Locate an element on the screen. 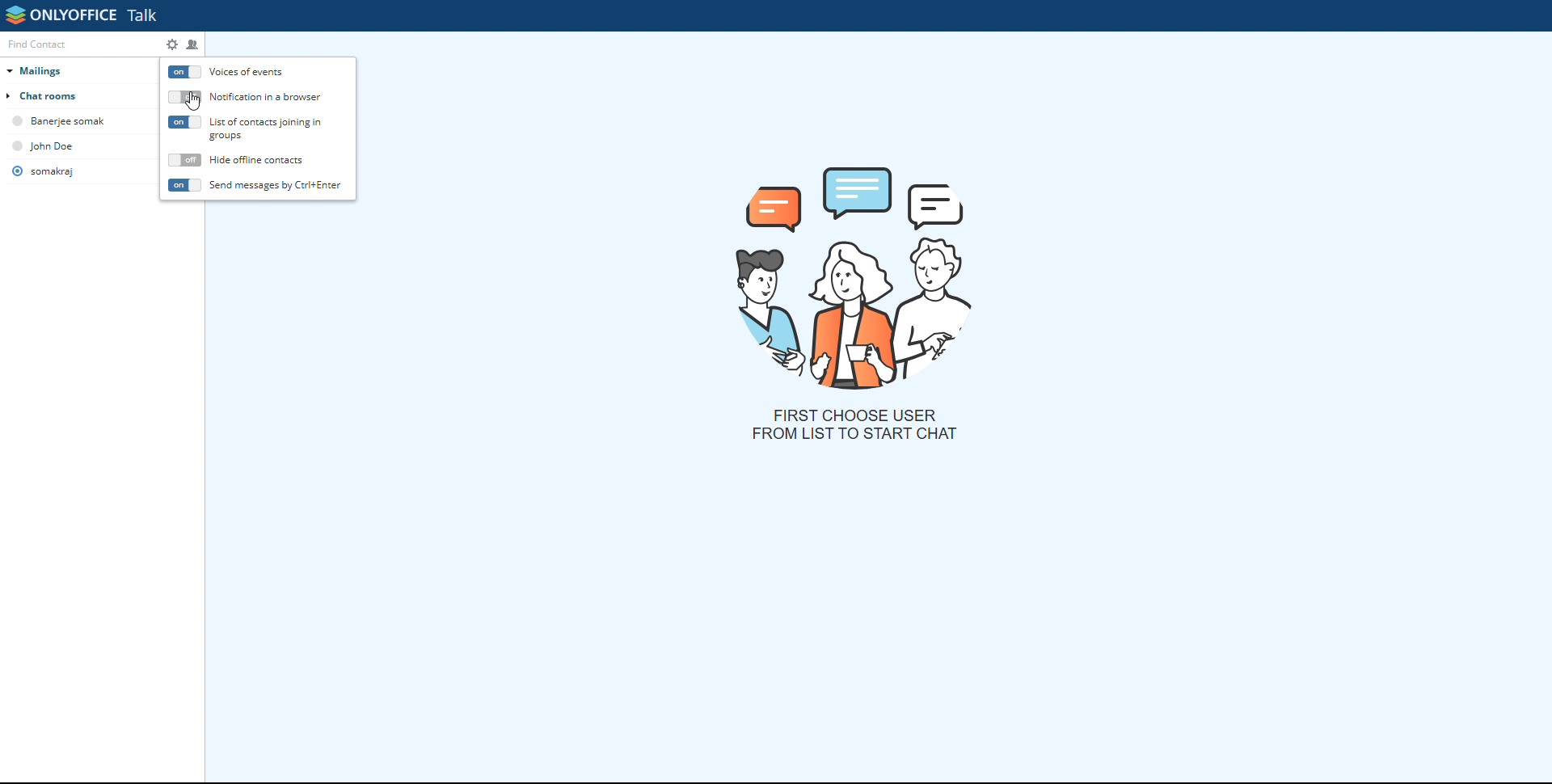  hide offline contacts is located at coordinates (257, 160).